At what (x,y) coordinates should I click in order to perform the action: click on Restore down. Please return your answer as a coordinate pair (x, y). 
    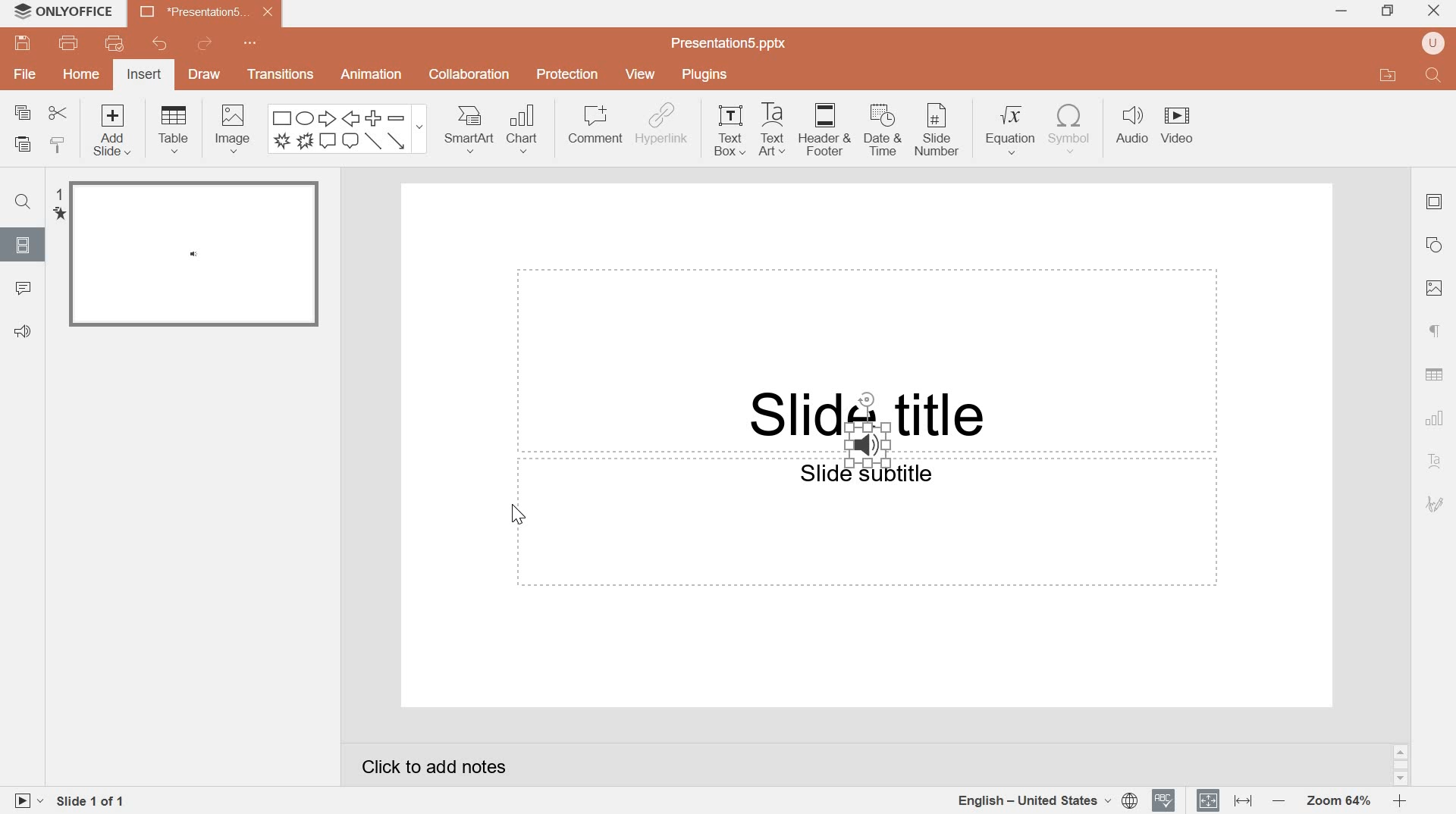
    Looking at the image, I should click on (1390, 11).